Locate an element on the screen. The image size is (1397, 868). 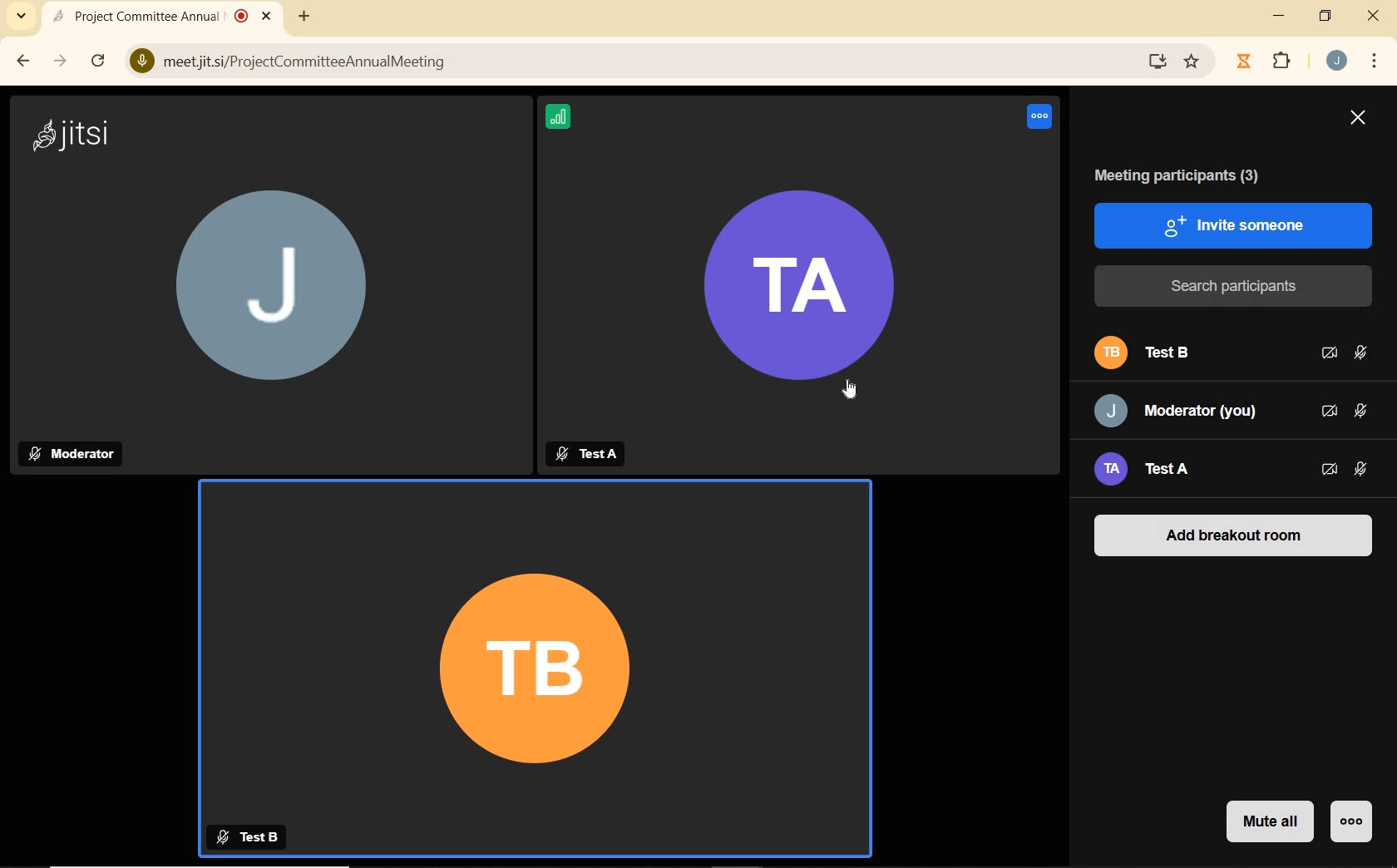
ADD NEW TAB is located at coordinates (304, 16).